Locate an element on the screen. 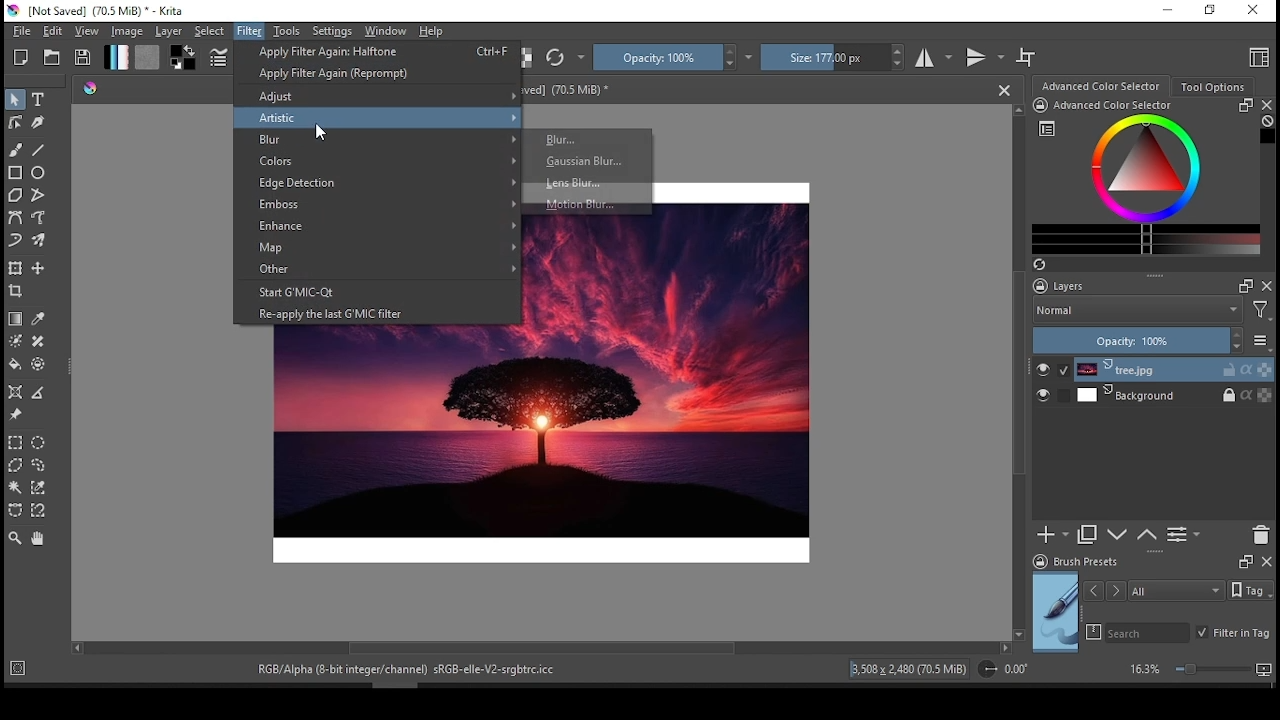  other is located at coordinates (378, 270).